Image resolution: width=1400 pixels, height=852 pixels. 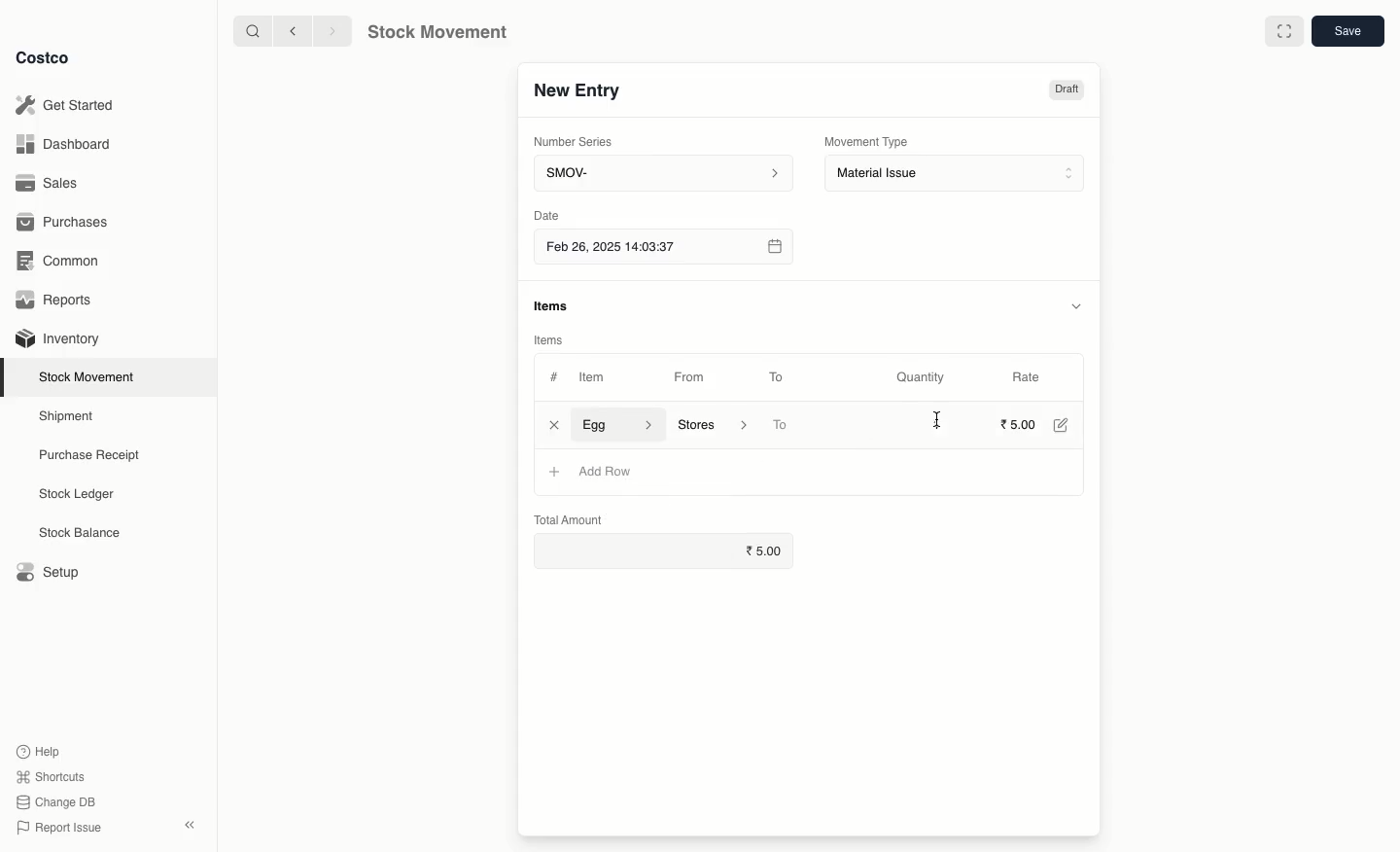 I want to click on From, so click(x=696, y=380).